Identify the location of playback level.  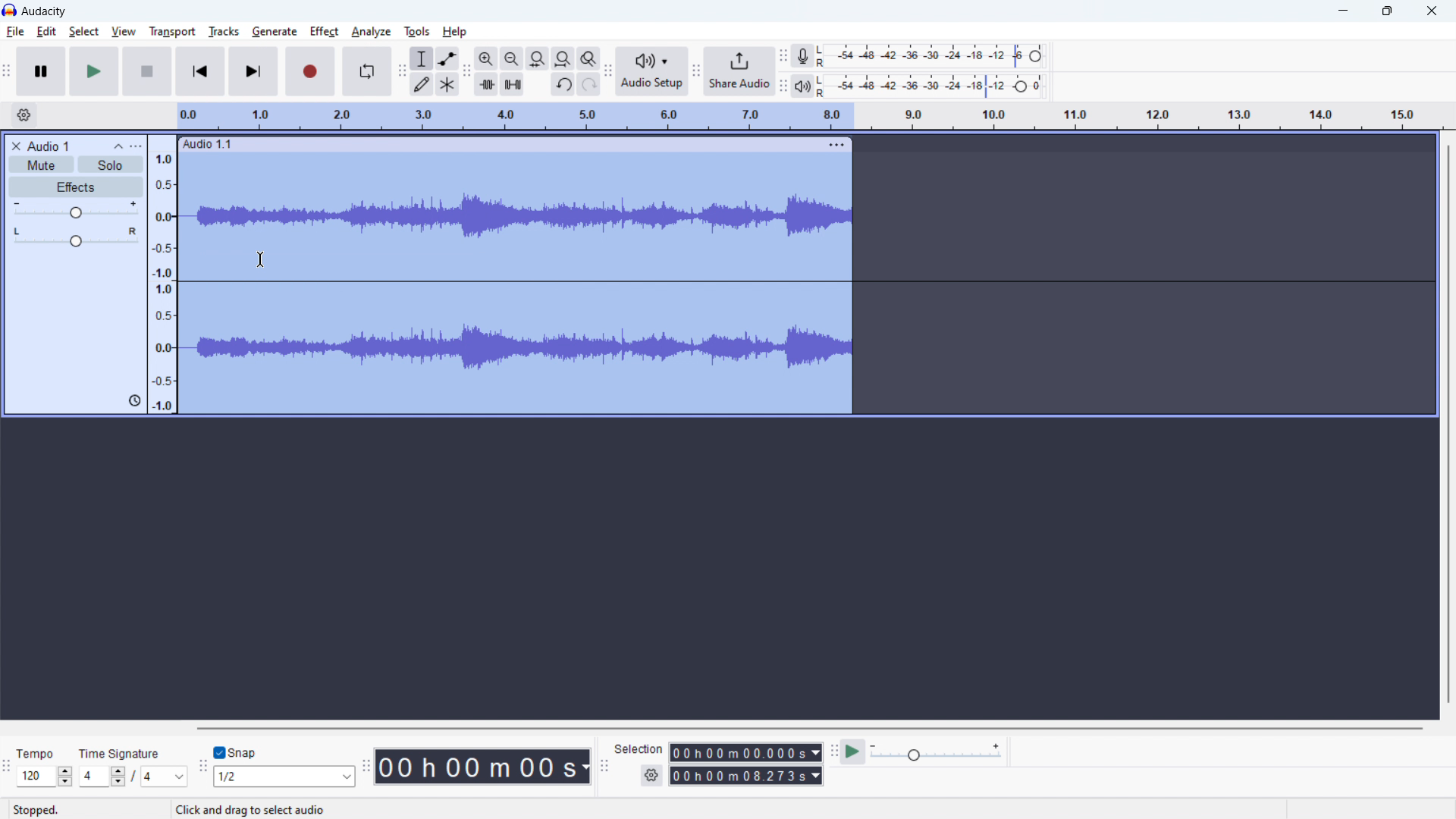
(930, 85).